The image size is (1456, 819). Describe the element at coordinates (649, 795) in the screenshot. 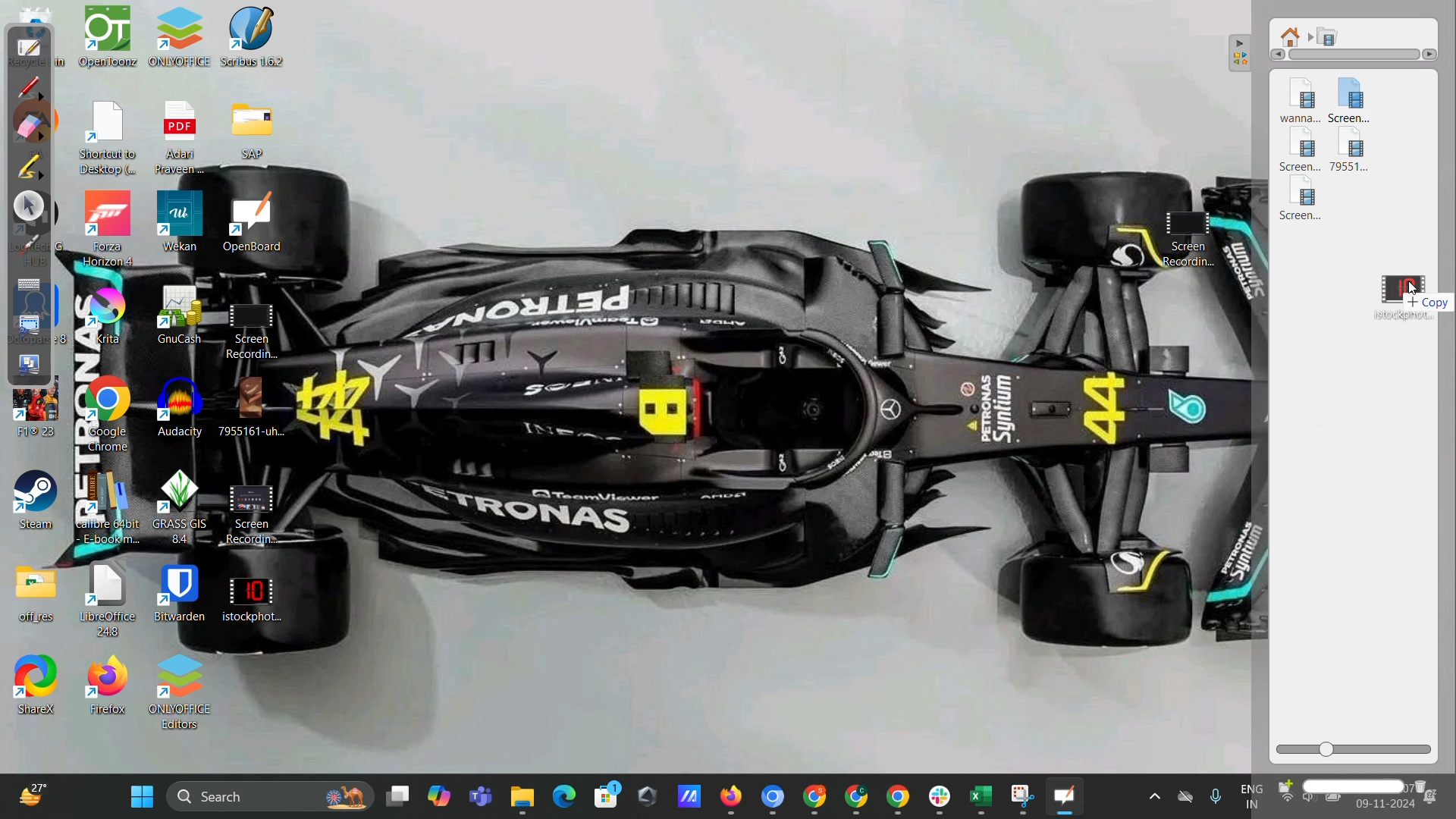

I see `shortcut on desktop taskbar` at that location.